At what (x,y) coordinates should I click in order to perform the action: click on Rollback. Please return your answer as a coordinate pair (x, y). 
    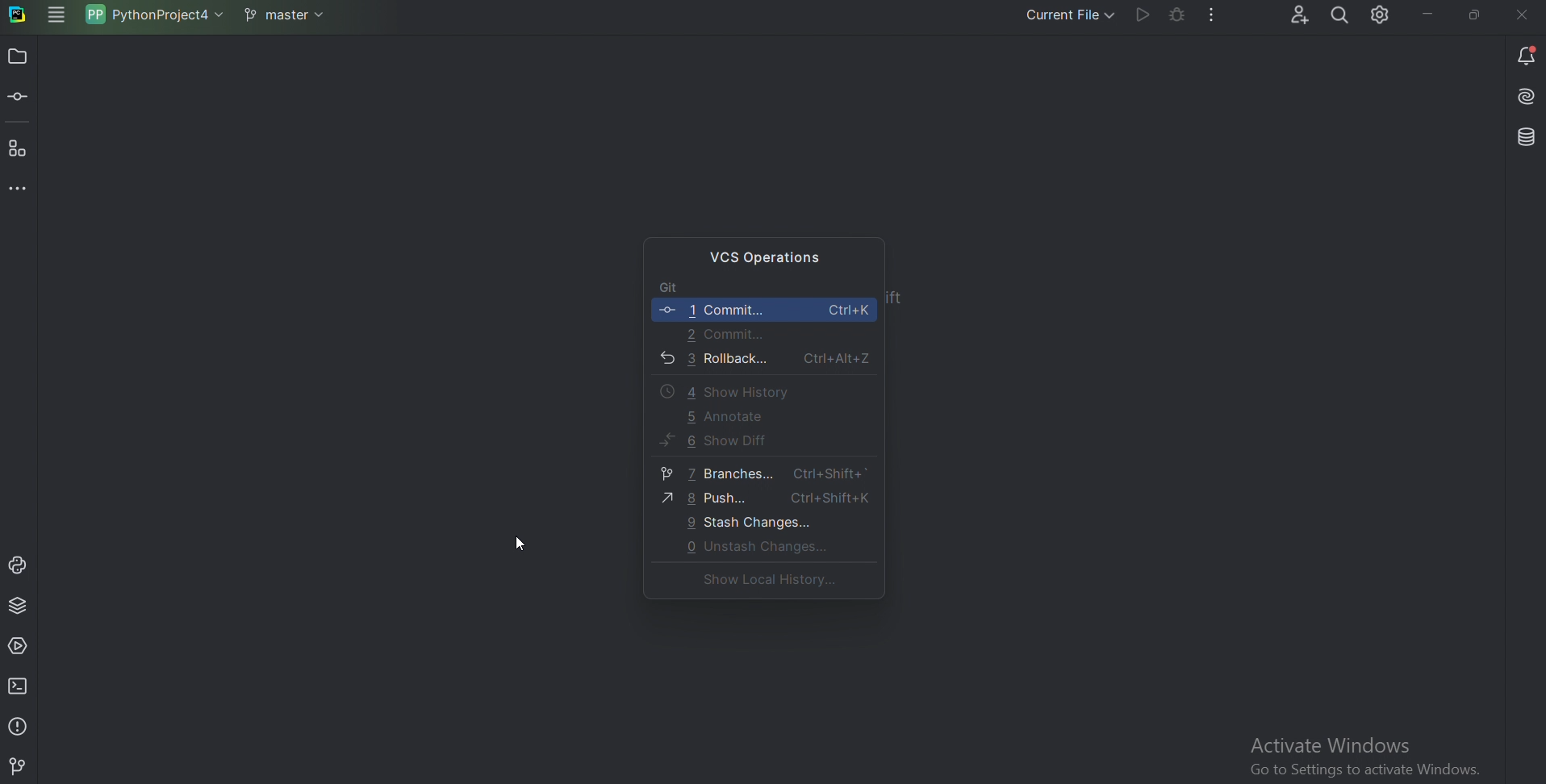
    Looking at the image, I should click on (762, 360).